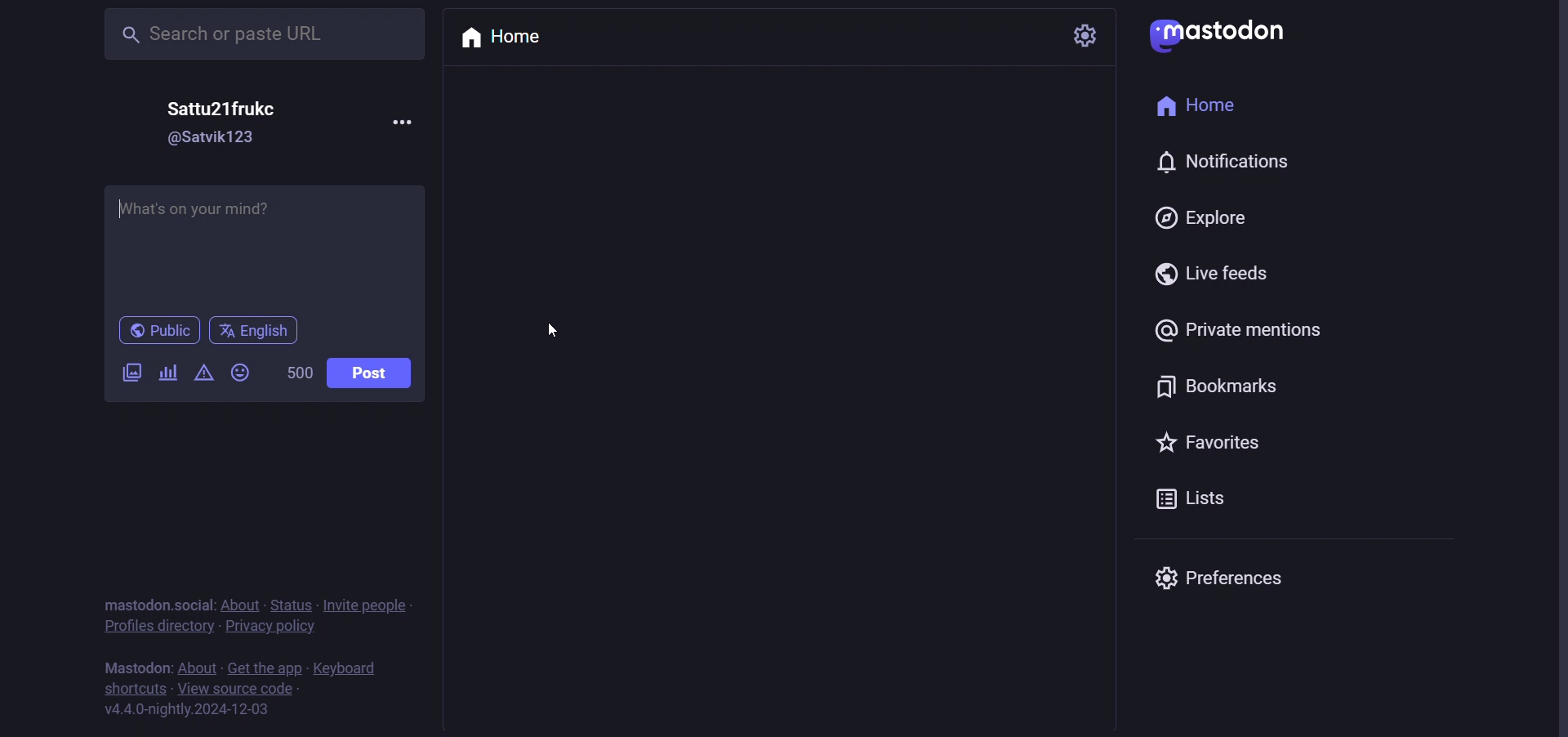 The width and height of the screenshot is (1568, 737). What do you see at coordinates (1233, 328) in the screenshot?
I see `private mention` at bounding box center [1233, 328].